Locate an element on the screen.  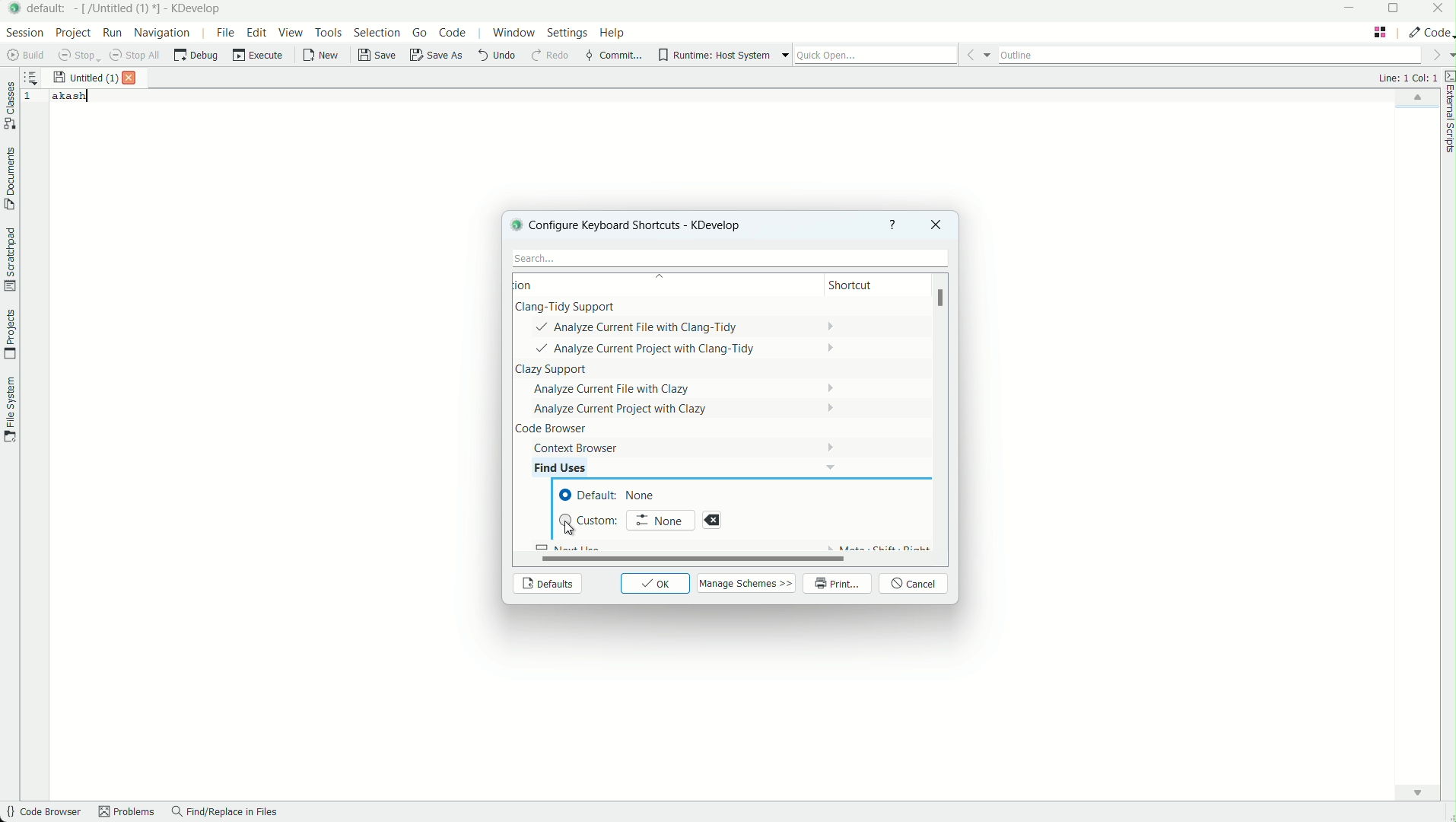
quick open is located at coordinates (876, 56).